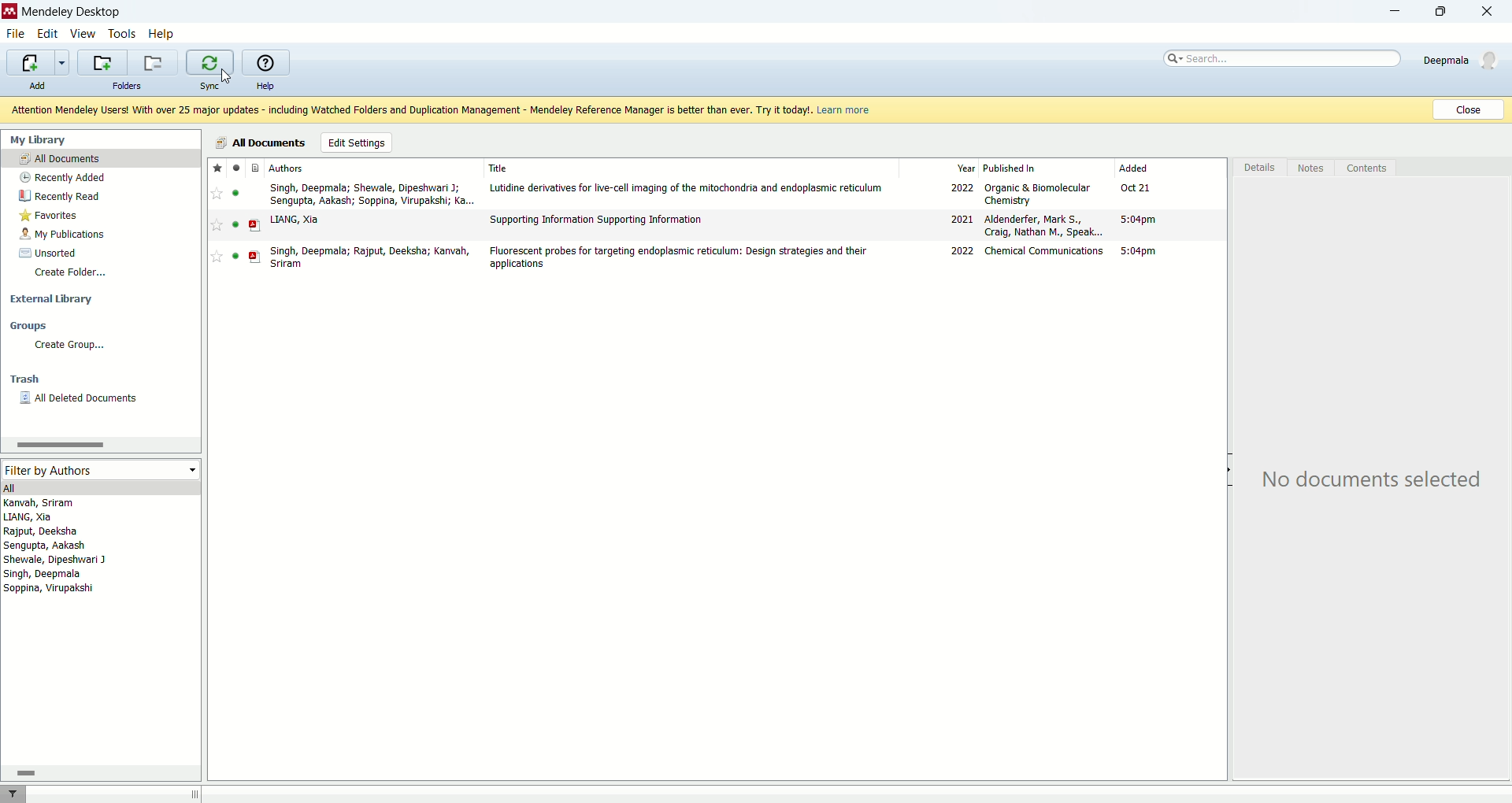 The image size is (1512, 803). What do you see at coordinates (940, 168) in the screenshot?
I see `year` at bounding box center [940, 168].